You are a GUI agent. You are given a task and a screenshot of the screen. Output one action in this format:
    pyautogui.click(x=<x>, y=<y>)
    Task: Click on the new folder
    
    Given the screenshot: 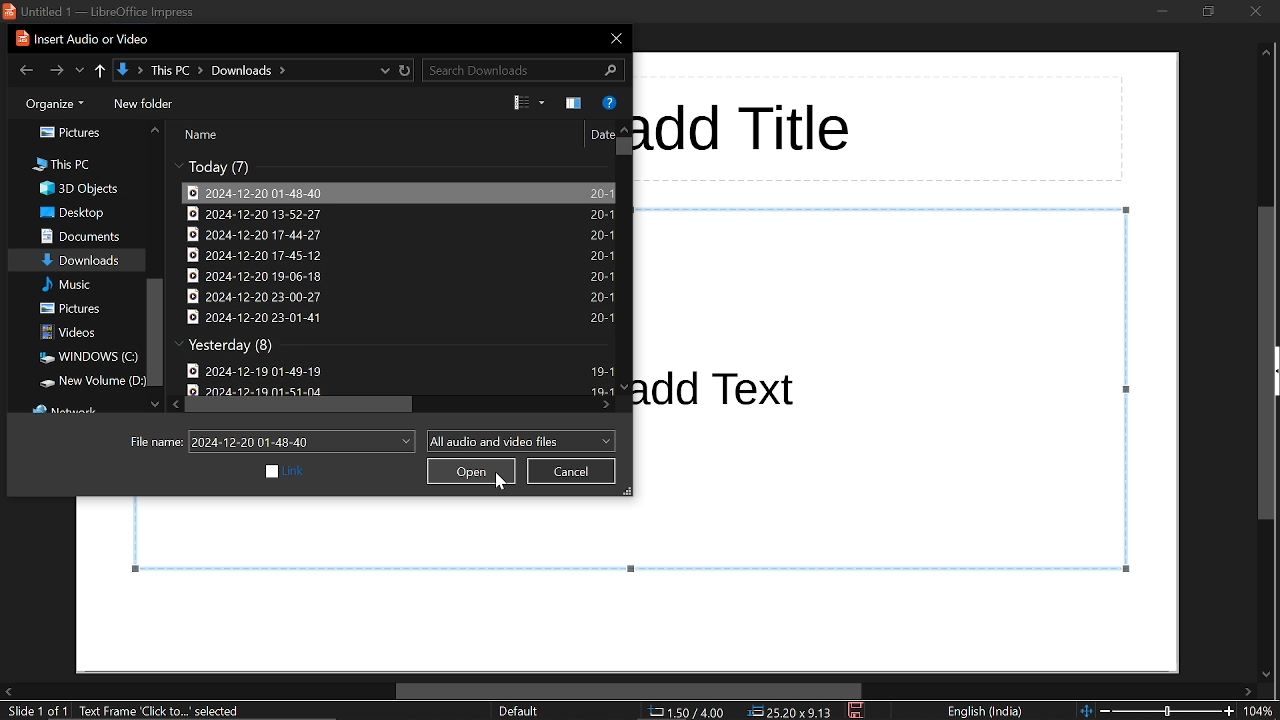 What is the action you would take?
    pyautogui.click(x=148, y=104)
    